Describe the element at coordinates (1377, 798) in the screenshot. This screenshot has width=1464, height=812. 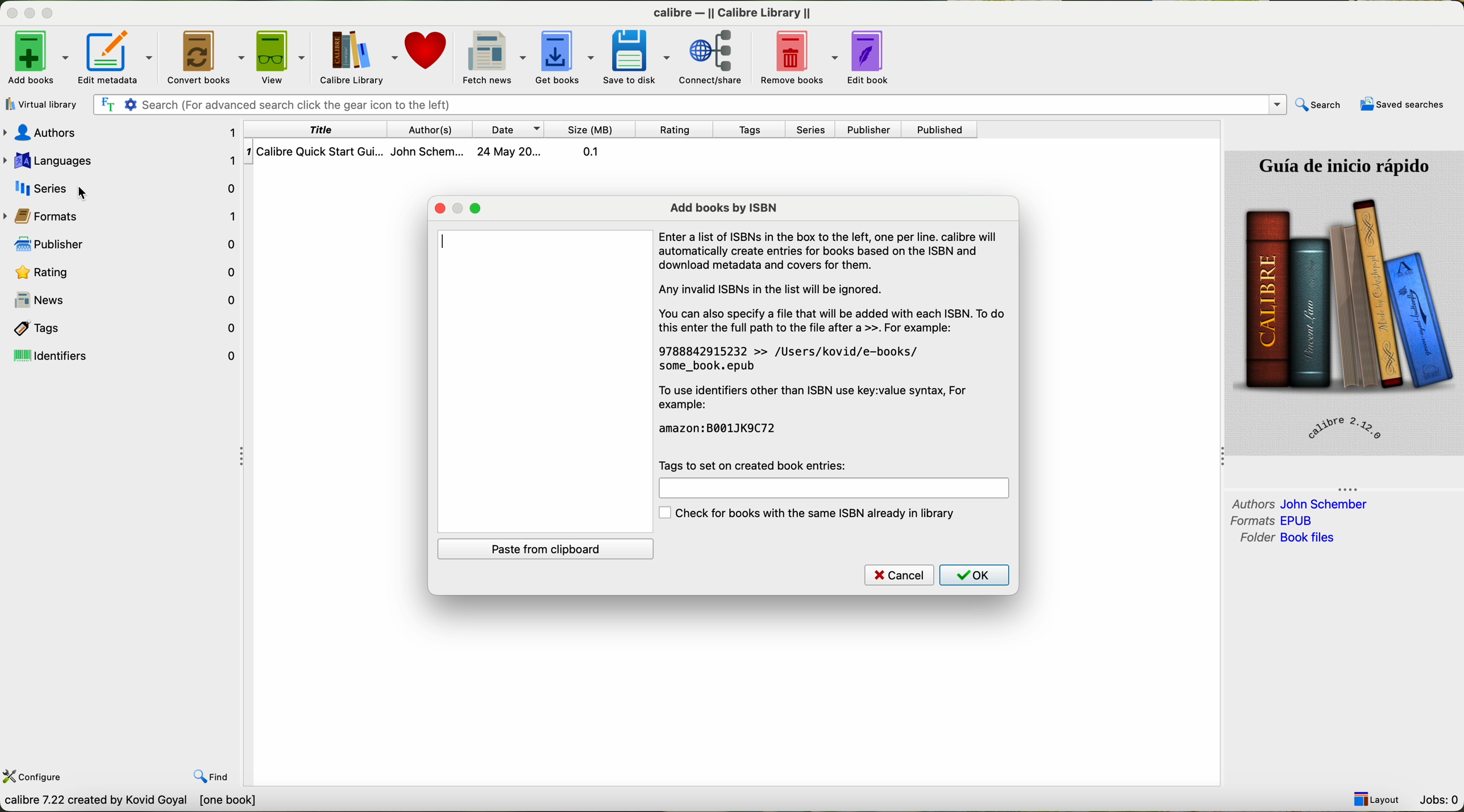
I see `layout` at that location.